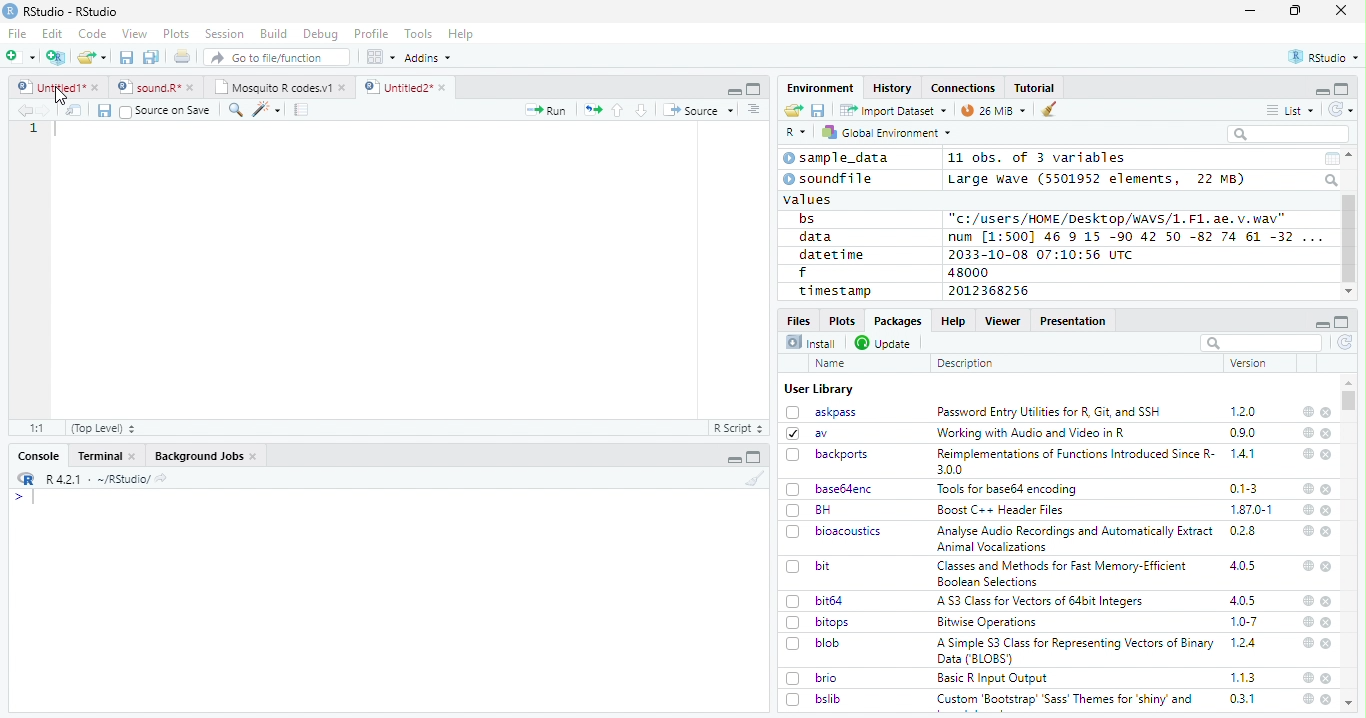 The height and width of the screenshot is (718, 1366). I want to click on close, so click(1327, 623).